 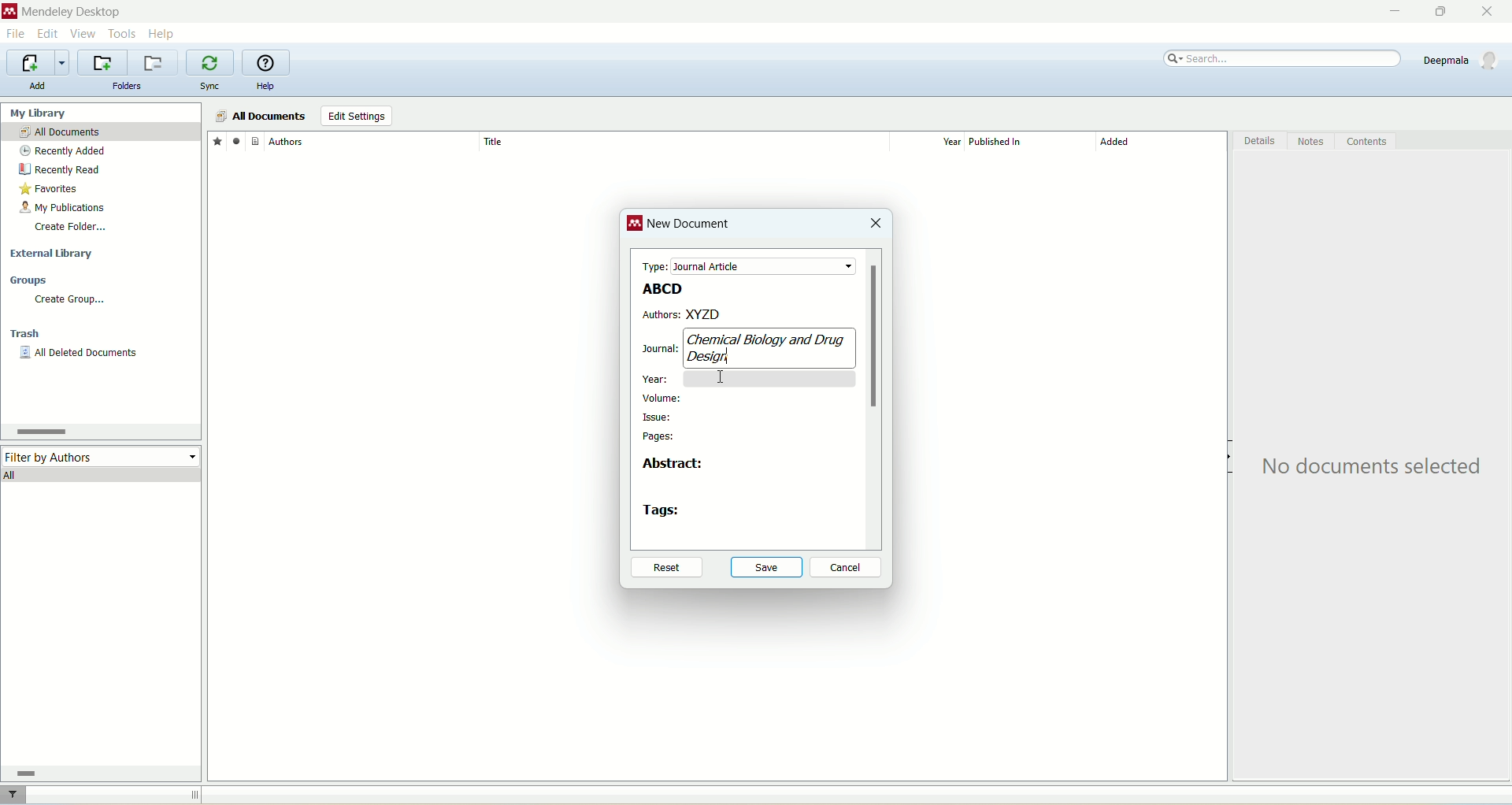 I want to click on help, so click(x=265, y=87).